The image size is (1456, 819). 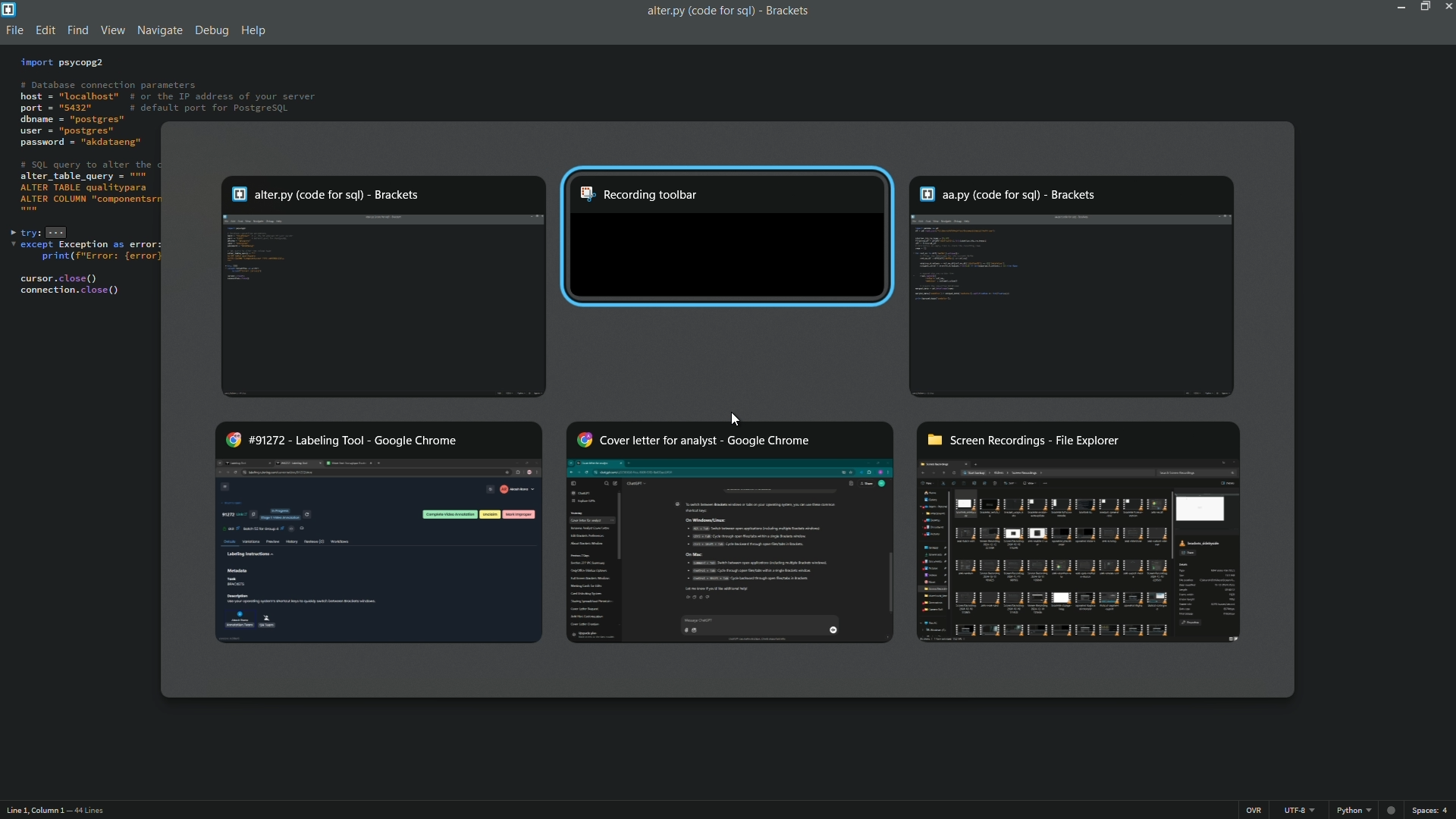 I want to click on help menu, so click(x=254, y=32).